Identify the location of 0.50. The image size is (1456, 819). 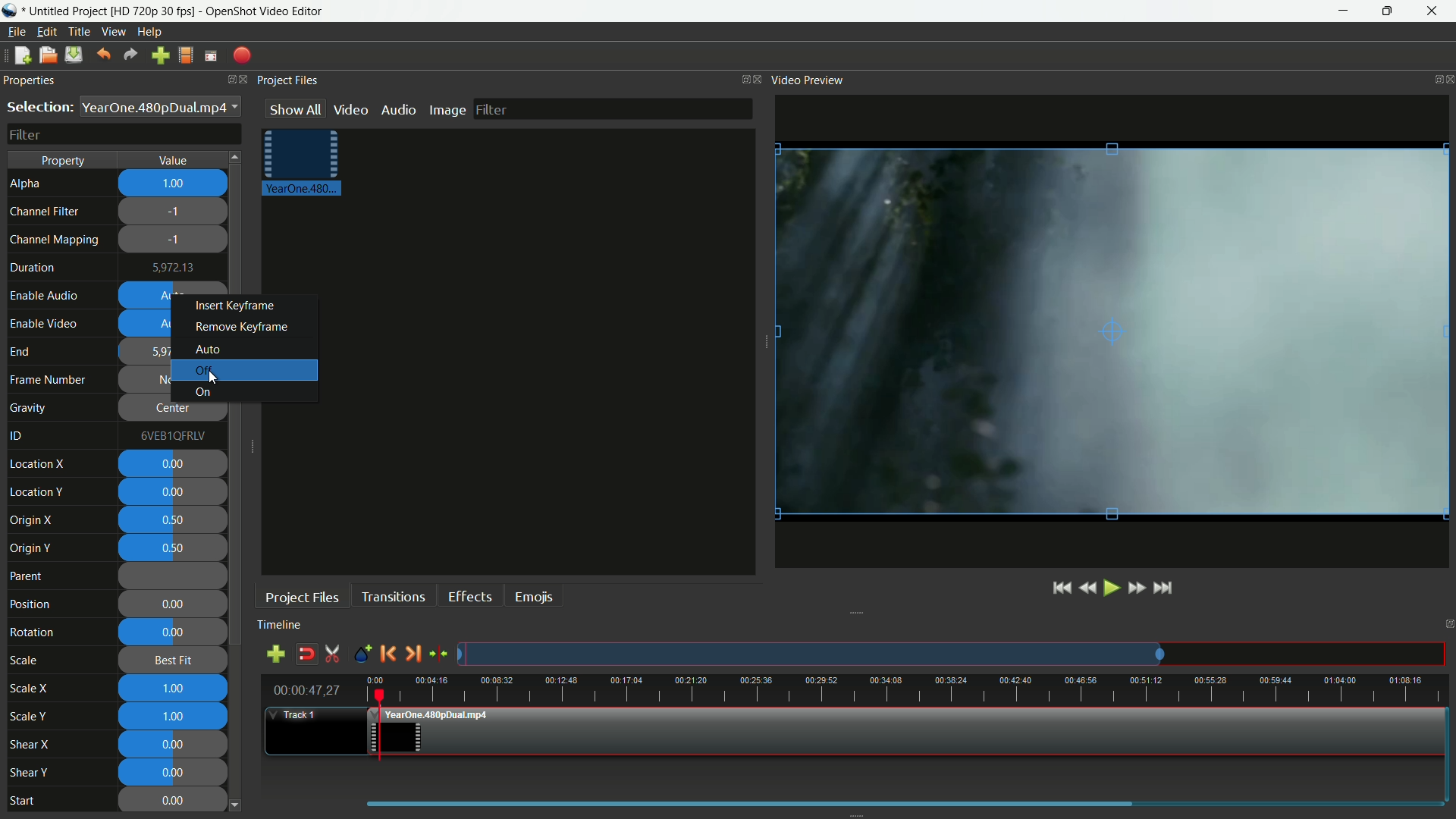
(175, 548).